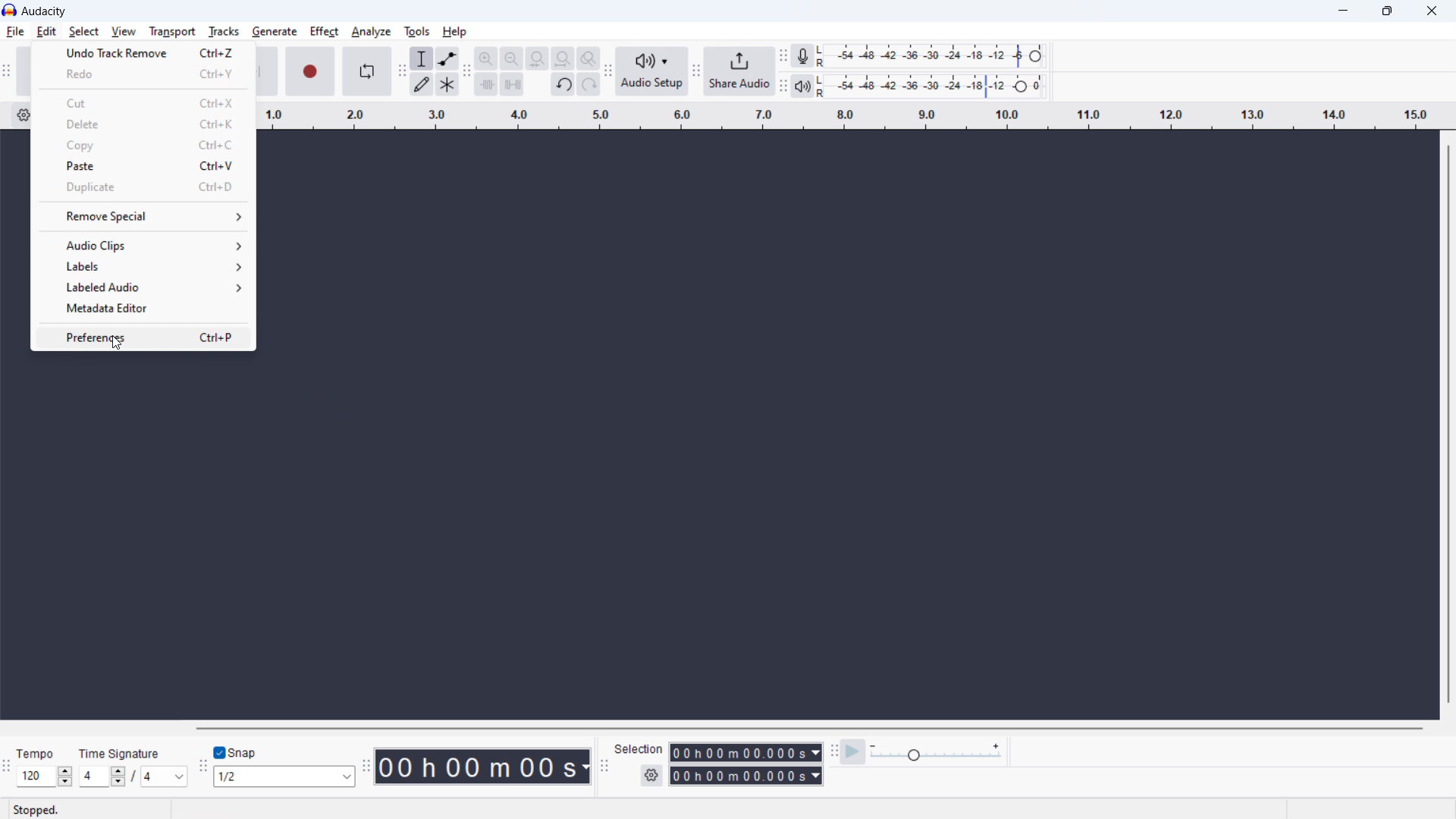  Describe the element at coordinates (366, 71) in the screenshot. I see `enable loop` at that location.